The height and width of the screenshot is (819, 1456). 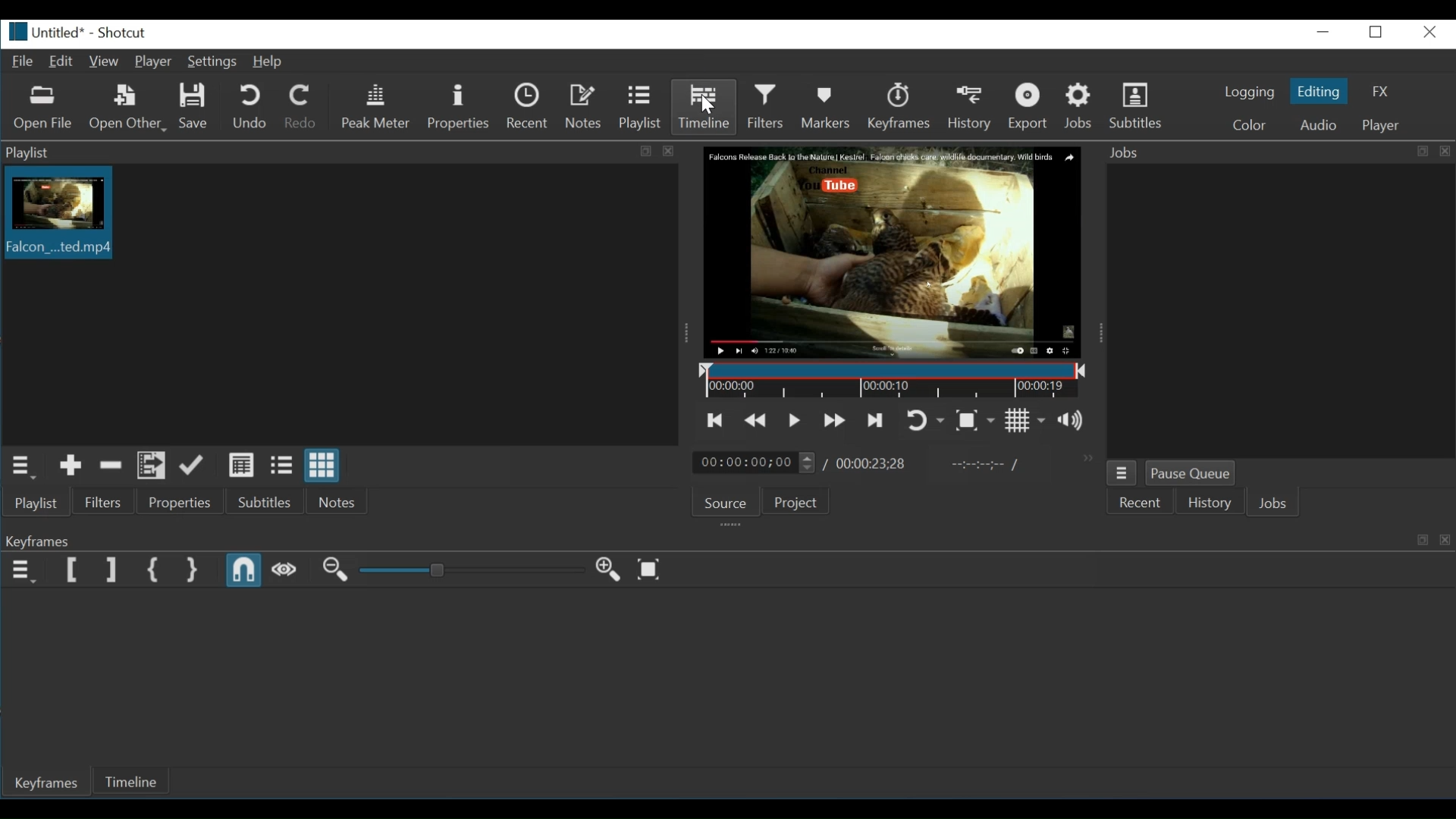 I want to click on Filters, so click(x=766, y=106).